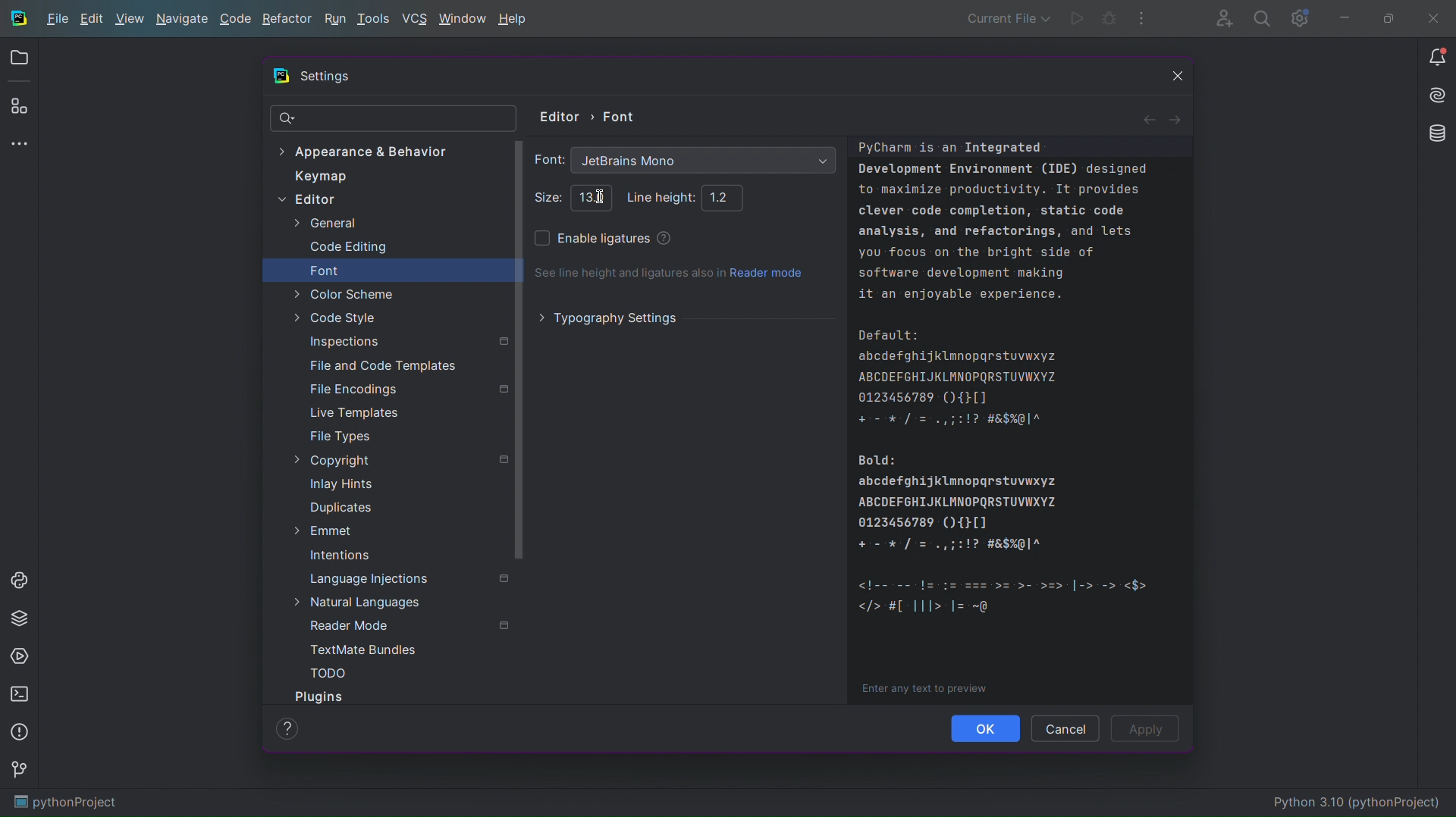 This screenshot has width=1456, height=817. What do you see at coordinates (322, 529) in the screenshot?
I see `Emmet` at bounding box center [322, 529].